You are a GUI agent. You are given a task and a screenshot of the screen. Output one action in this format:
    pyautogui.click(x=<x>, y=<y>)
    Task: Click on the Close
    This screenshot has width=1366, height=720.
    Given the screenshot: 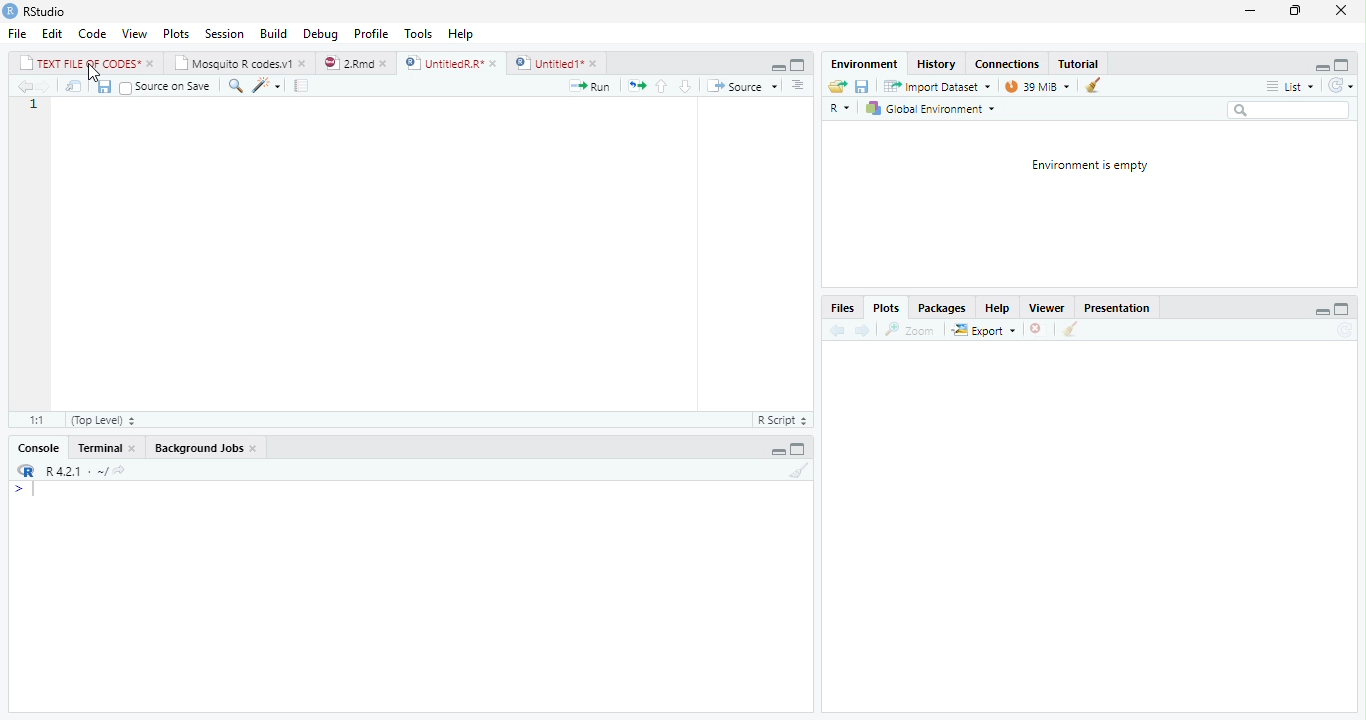 What is the action you would take?
    pyautogui.click(x=1340, y=11)
    